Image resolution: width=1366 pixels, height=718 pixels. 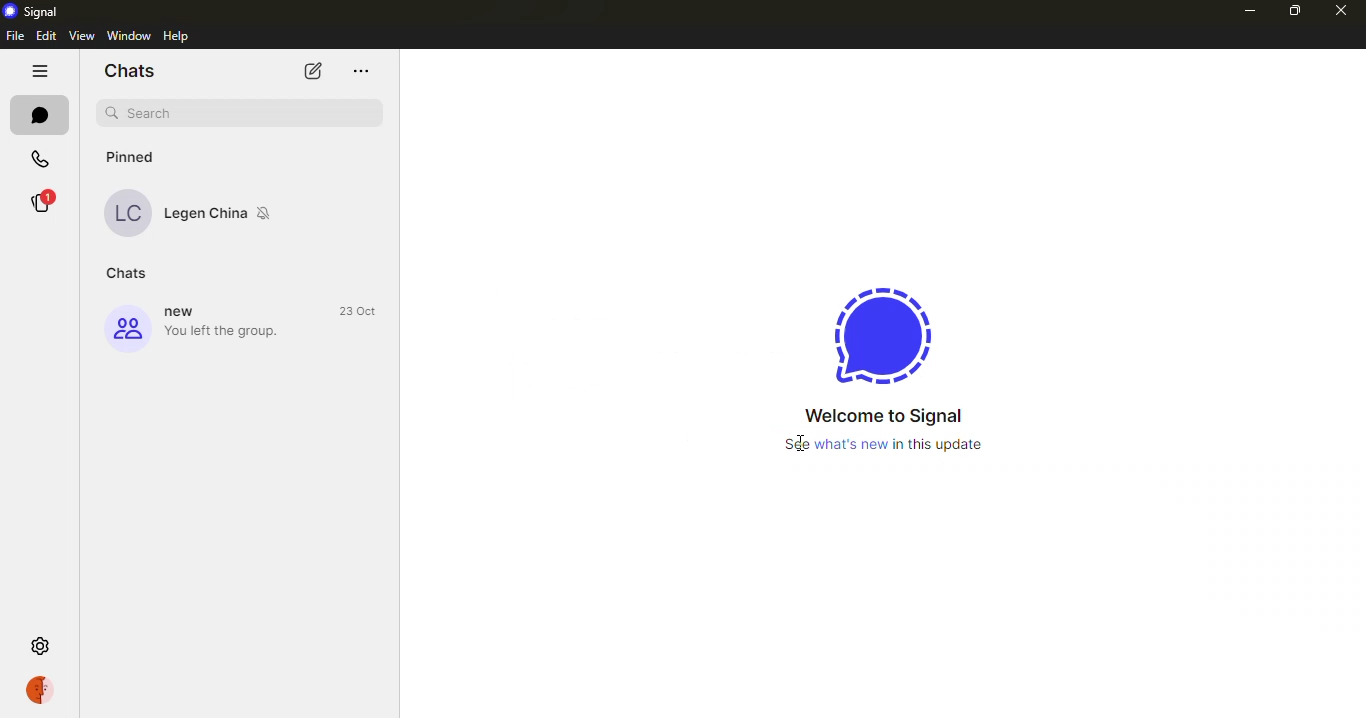 I want to click on what's new, so click(x=914, y=446).